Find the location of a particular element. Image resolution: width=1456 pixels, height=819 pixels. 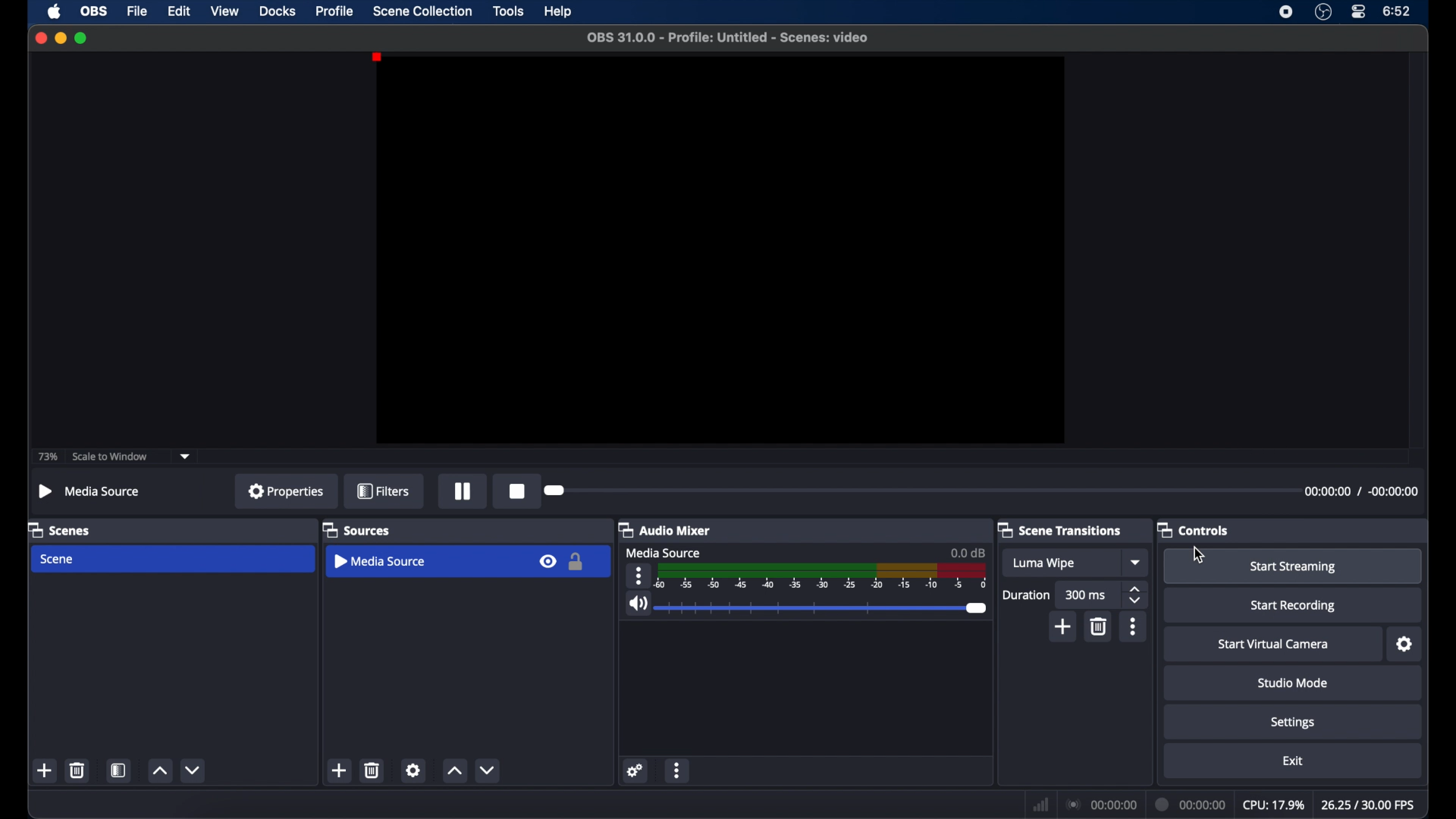

settings is located at coordinates (1291, 722).